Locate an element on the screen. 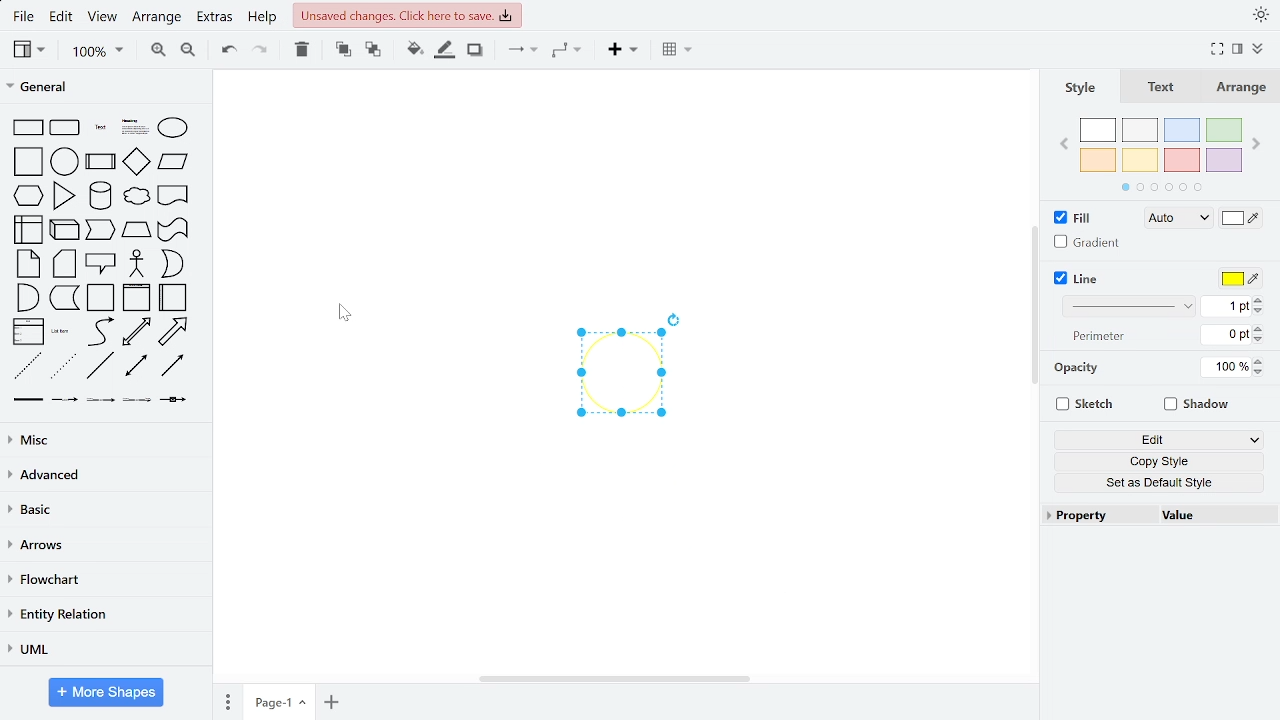 This screenshot has height=720, width=1280. arrange is located at coordinates (1242, 89).